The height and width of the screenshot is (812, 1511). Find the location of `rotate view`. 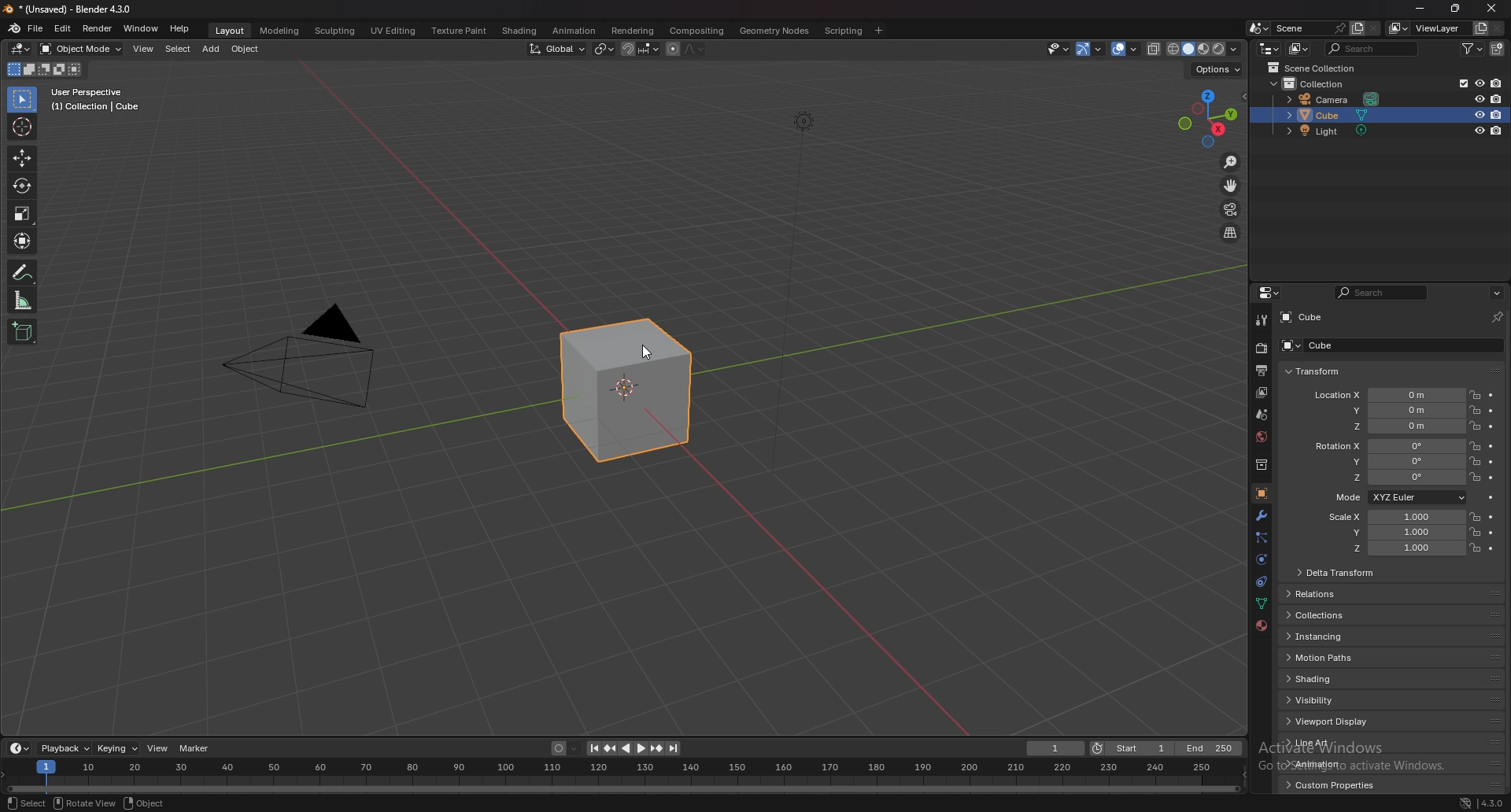

rotate view is located at coordinates (84, 803).